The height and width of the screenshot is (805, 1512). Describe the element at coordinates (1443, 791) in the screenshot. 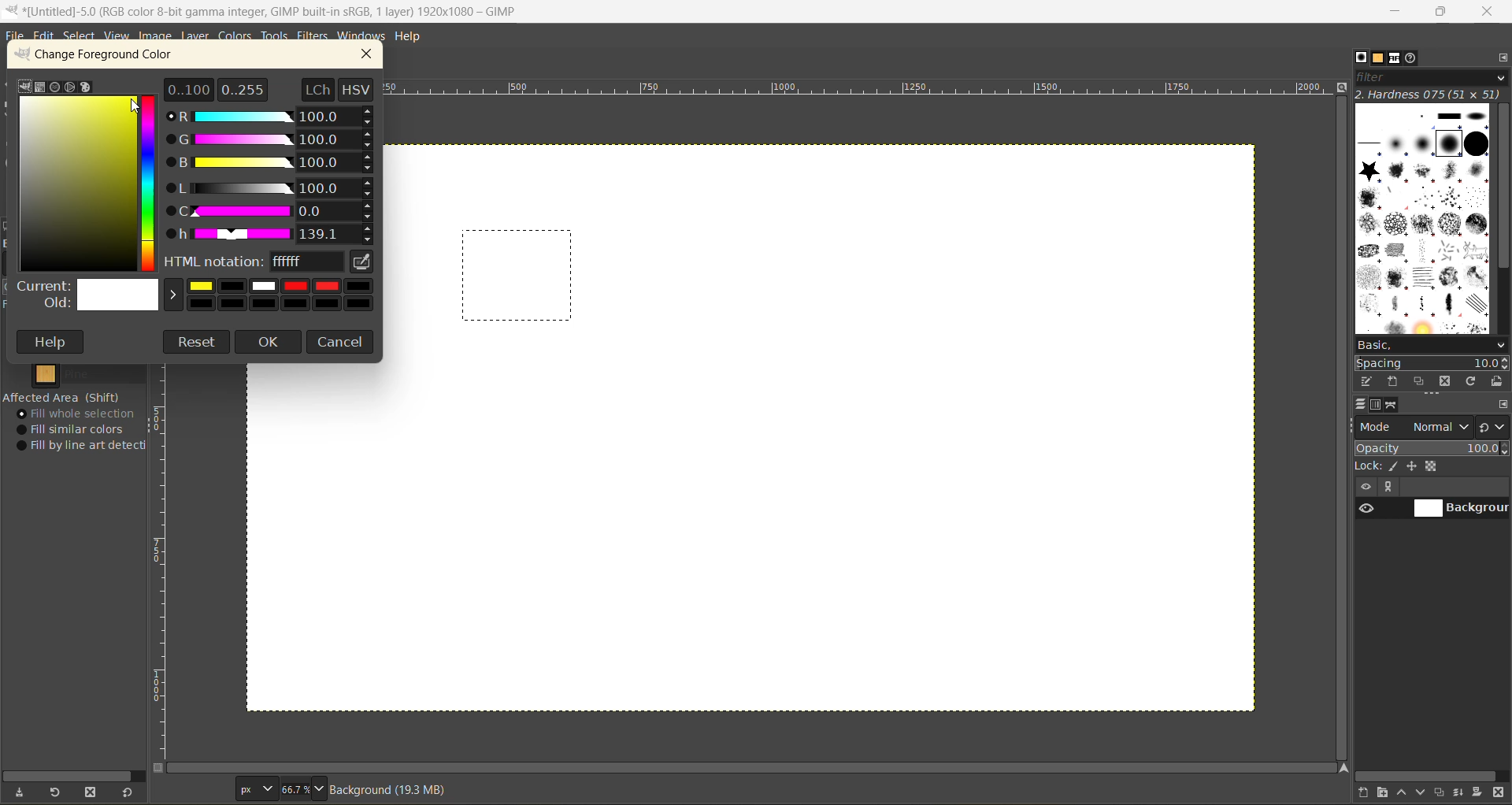

I see `create a duplicate layer` at that location.